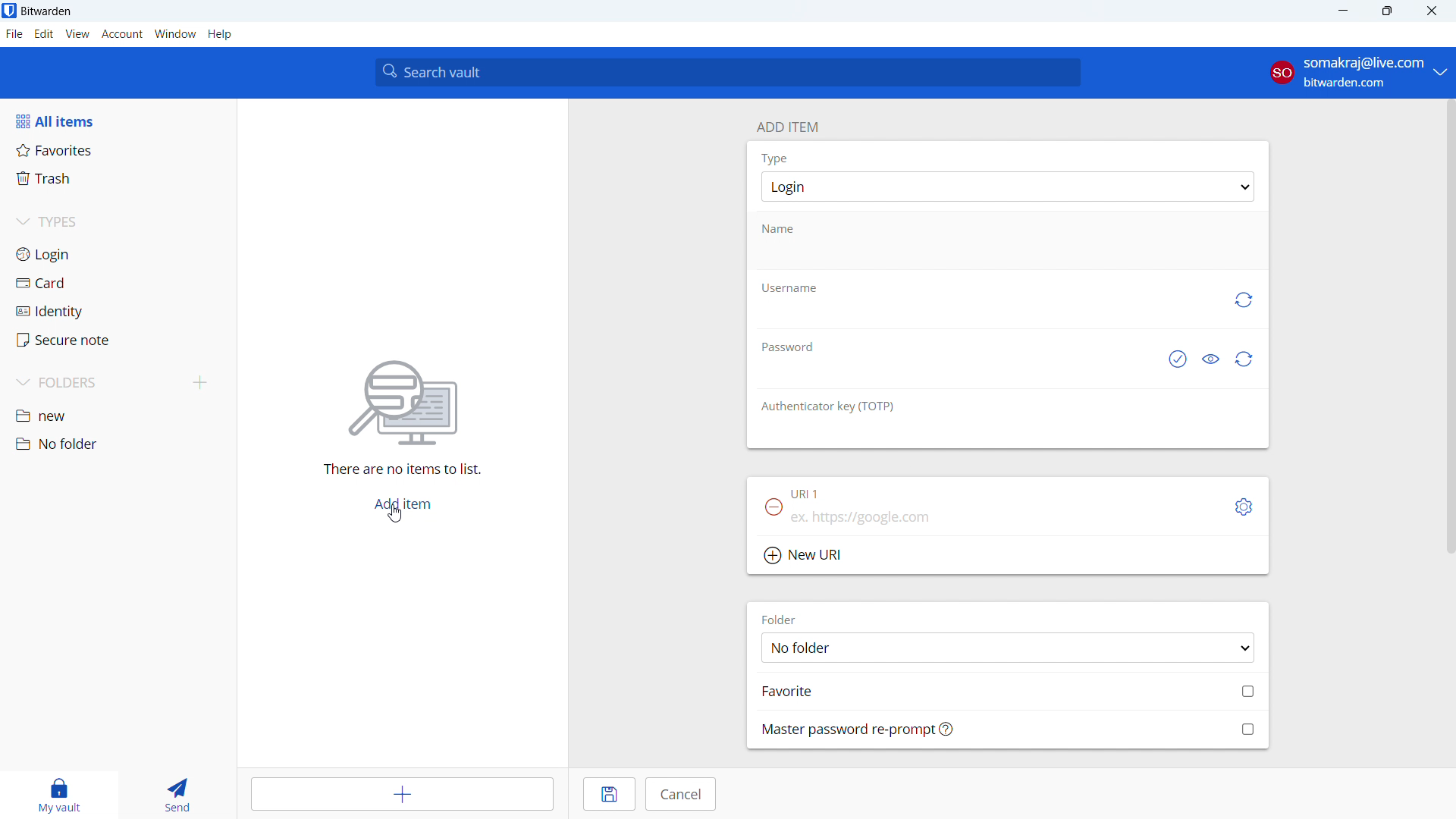 The width and height of the screenshot is (1456, 819). I want to click on select folder, so click(1007, 647).